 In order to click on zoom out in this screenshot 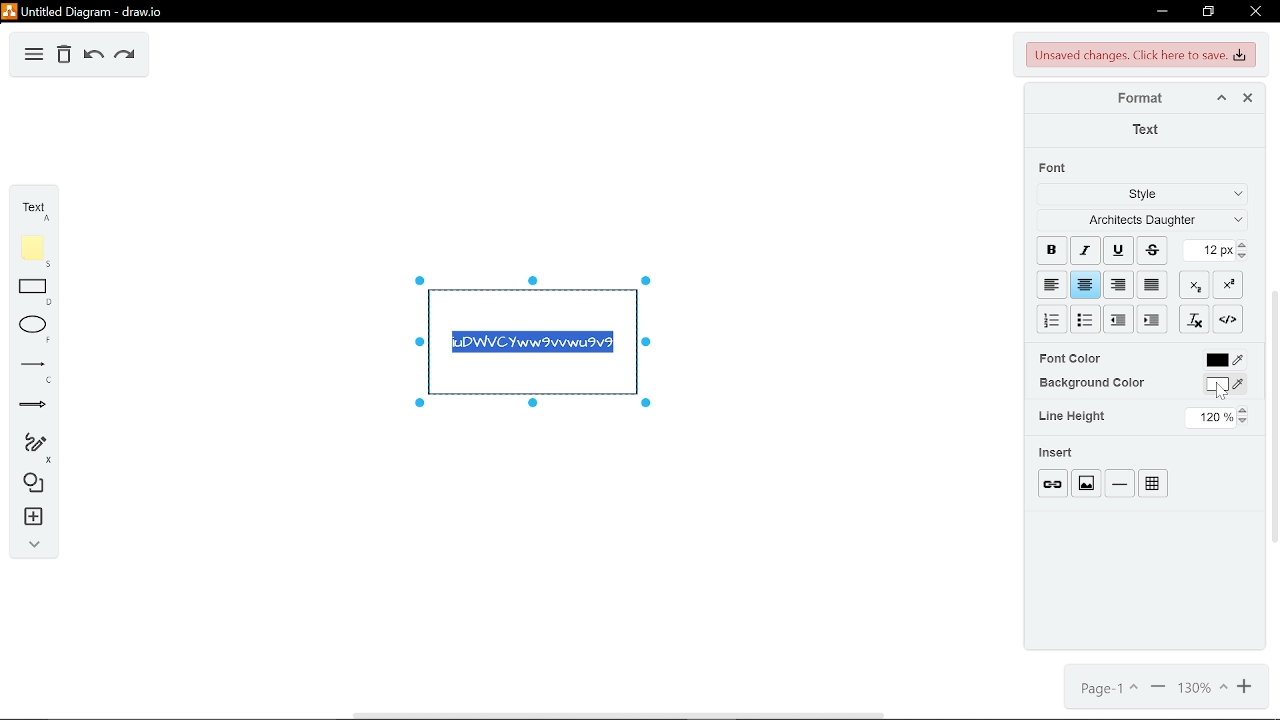, I will do `click(1156, 690)`.